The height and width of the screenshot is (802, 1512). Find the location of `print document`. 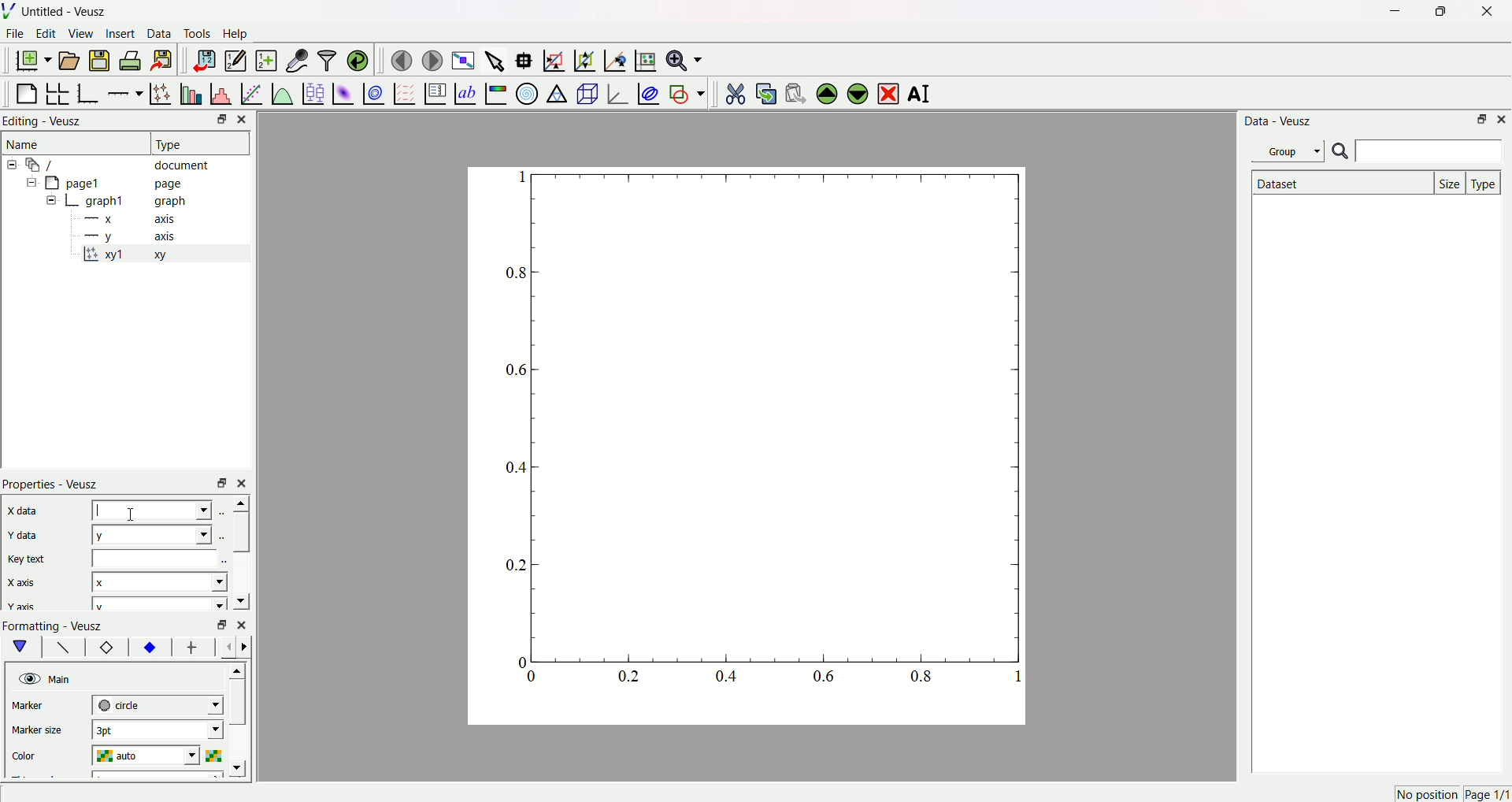

print document is located at coordinates (132, 62).